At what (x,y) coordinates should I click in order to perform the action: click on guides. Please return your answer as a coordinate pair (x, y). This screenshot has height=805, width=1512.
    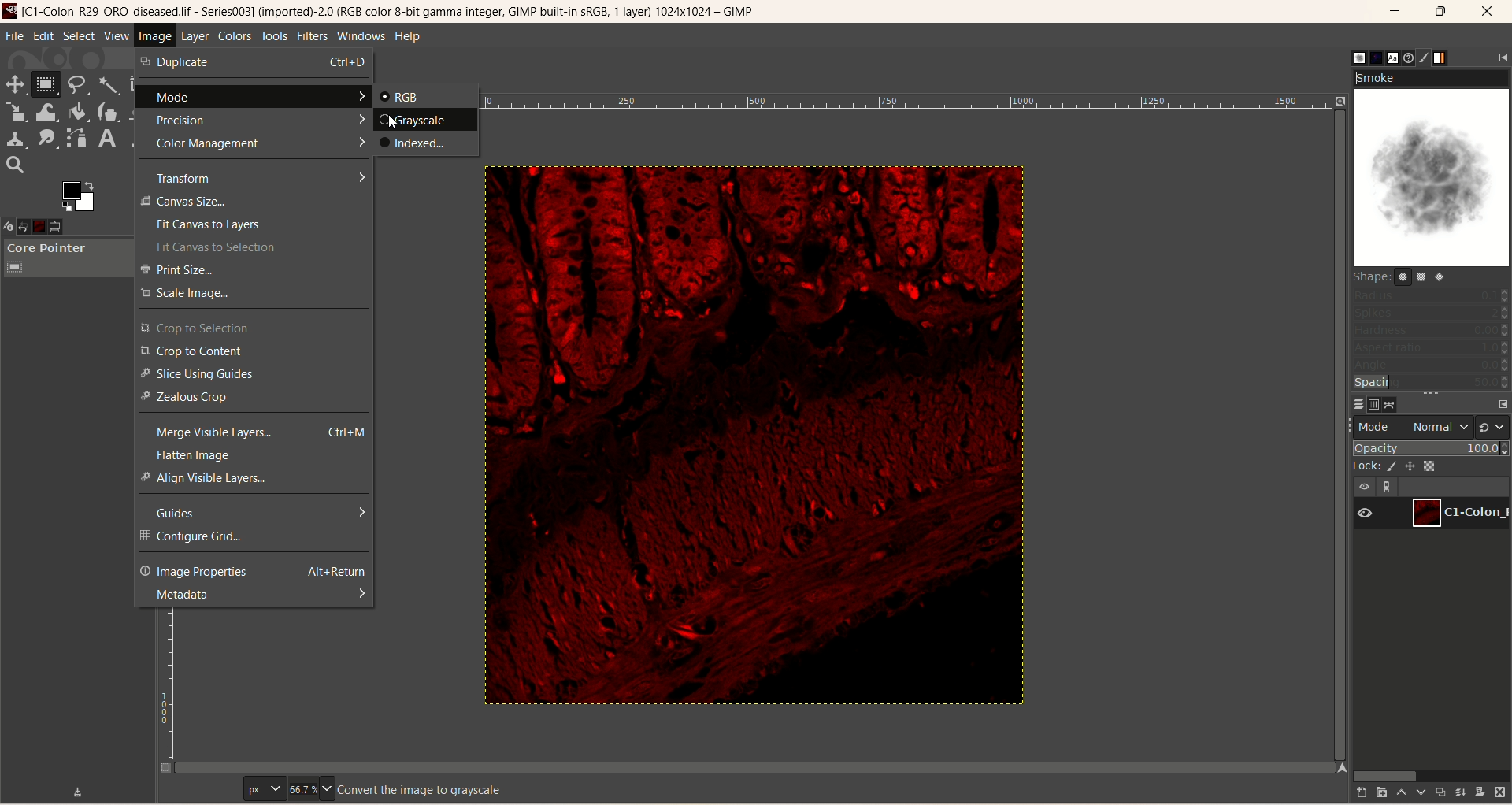
    Looking at the image, I should click on (254, 514).